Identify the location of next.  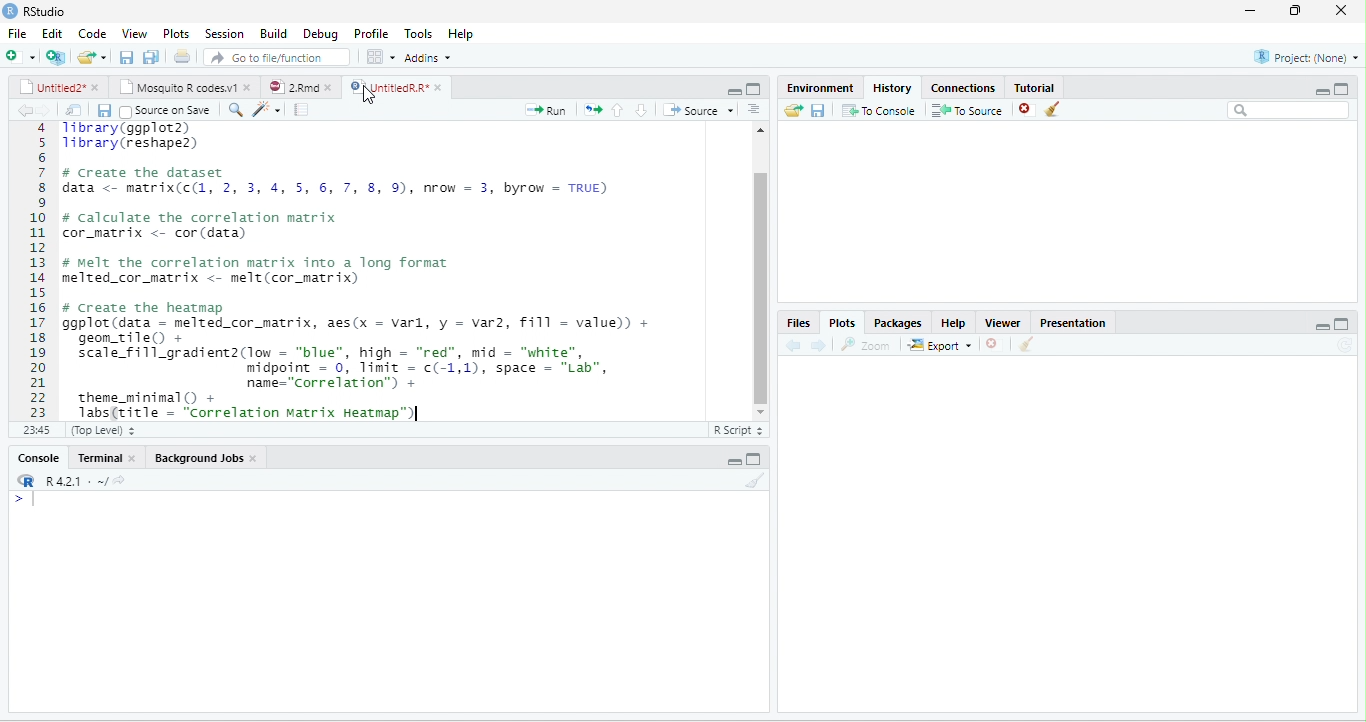
(824, 344).